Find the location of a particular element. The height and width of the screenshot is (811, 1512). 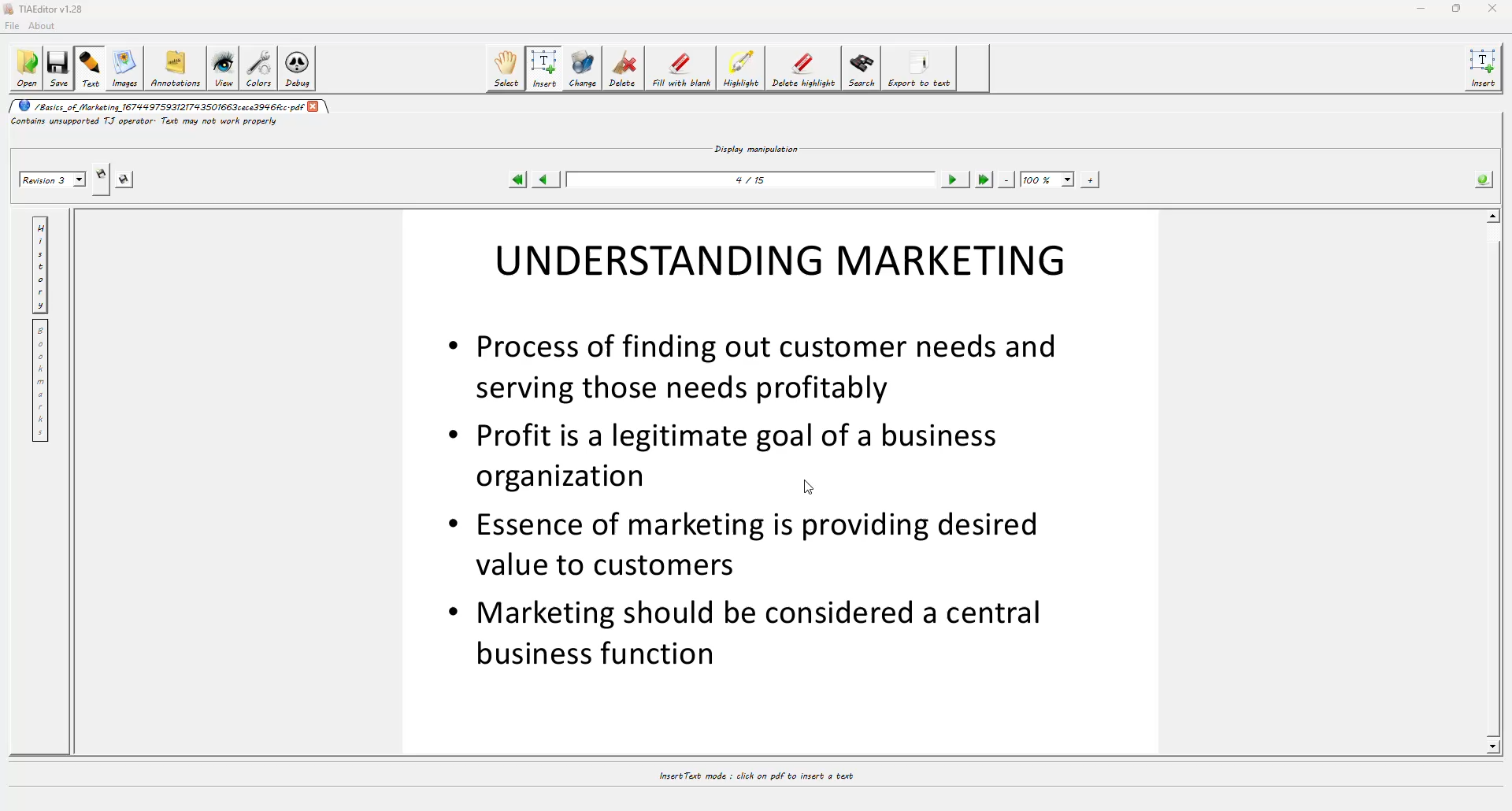

open is located at coordinates (28, 69).